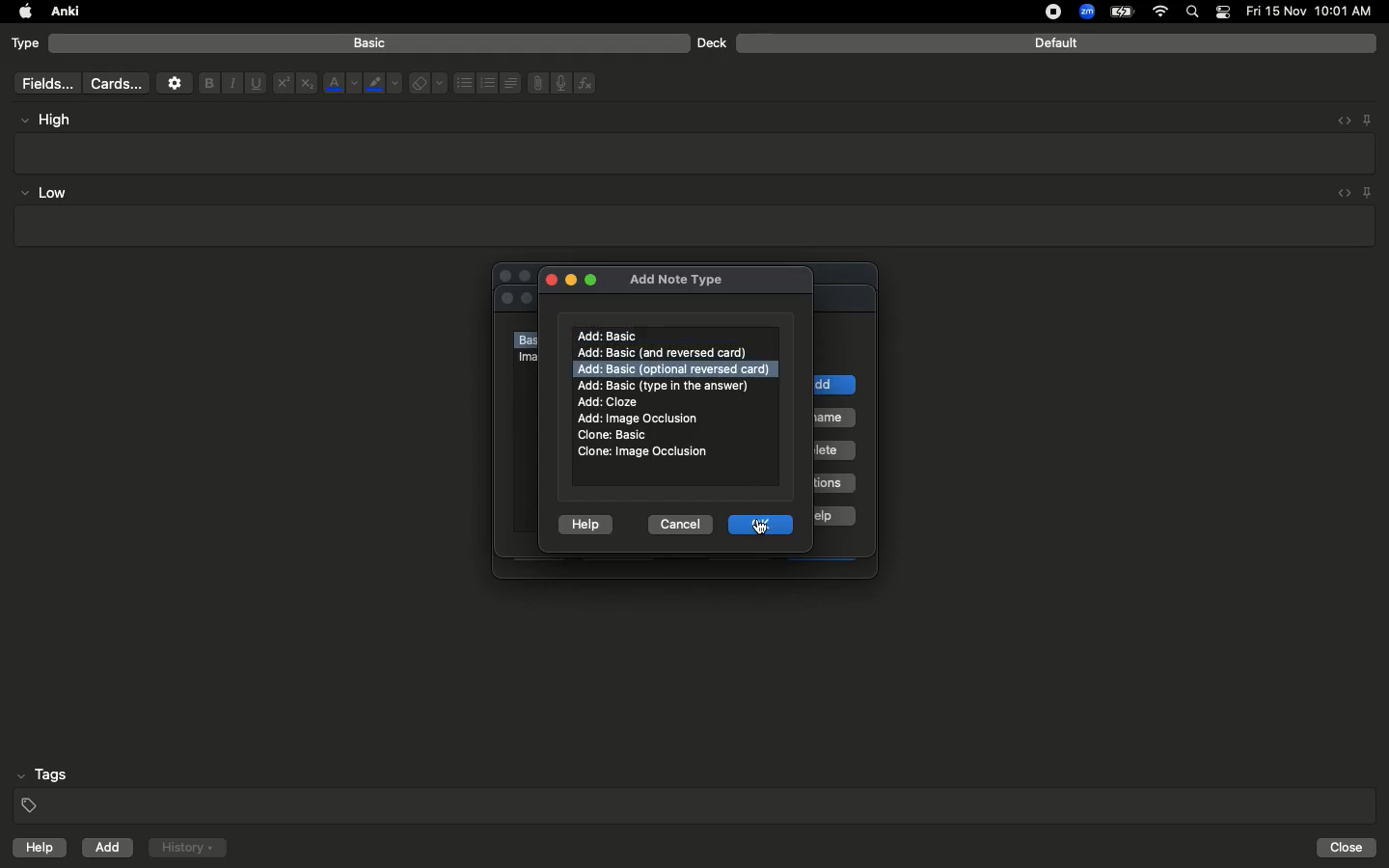  Describe the element at coordinates (116, 84) in the screenshot. I see `Cards` at that location.